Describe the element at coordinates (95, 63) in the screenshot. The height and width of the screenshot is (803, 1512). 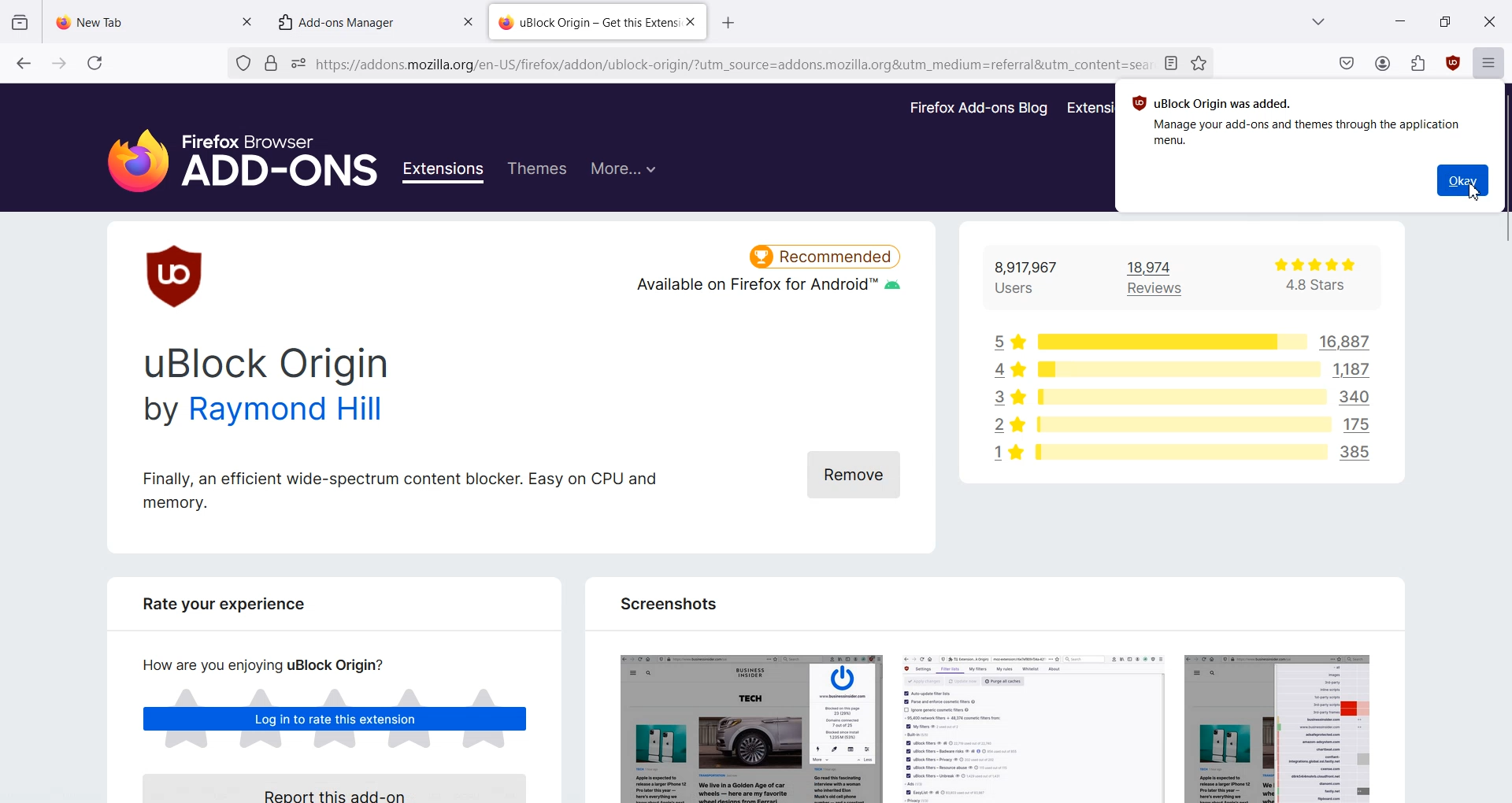
I see `Refresh` at that location.